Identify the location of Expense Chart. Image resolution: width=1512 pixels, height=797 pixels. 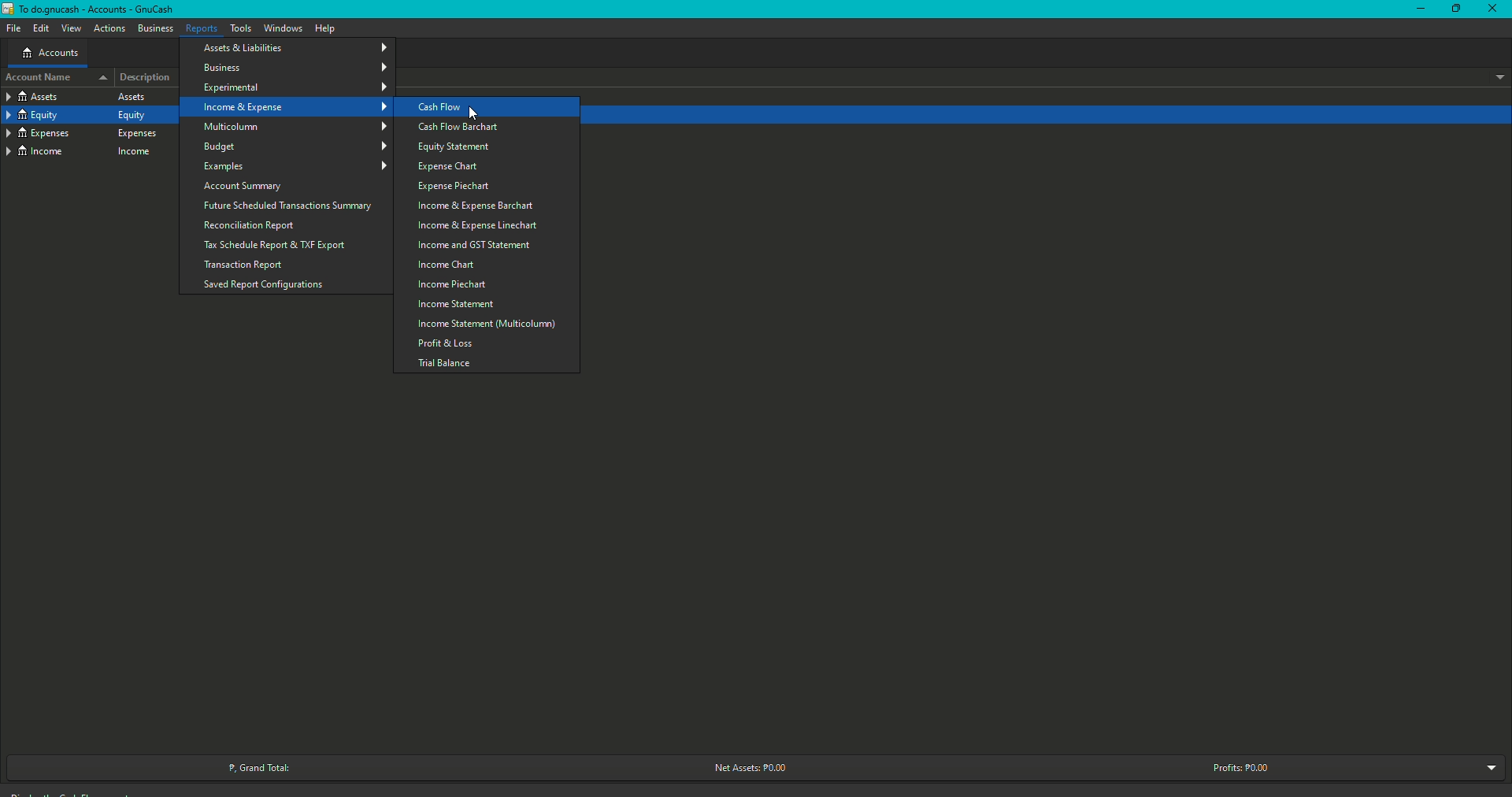
(451, 168).